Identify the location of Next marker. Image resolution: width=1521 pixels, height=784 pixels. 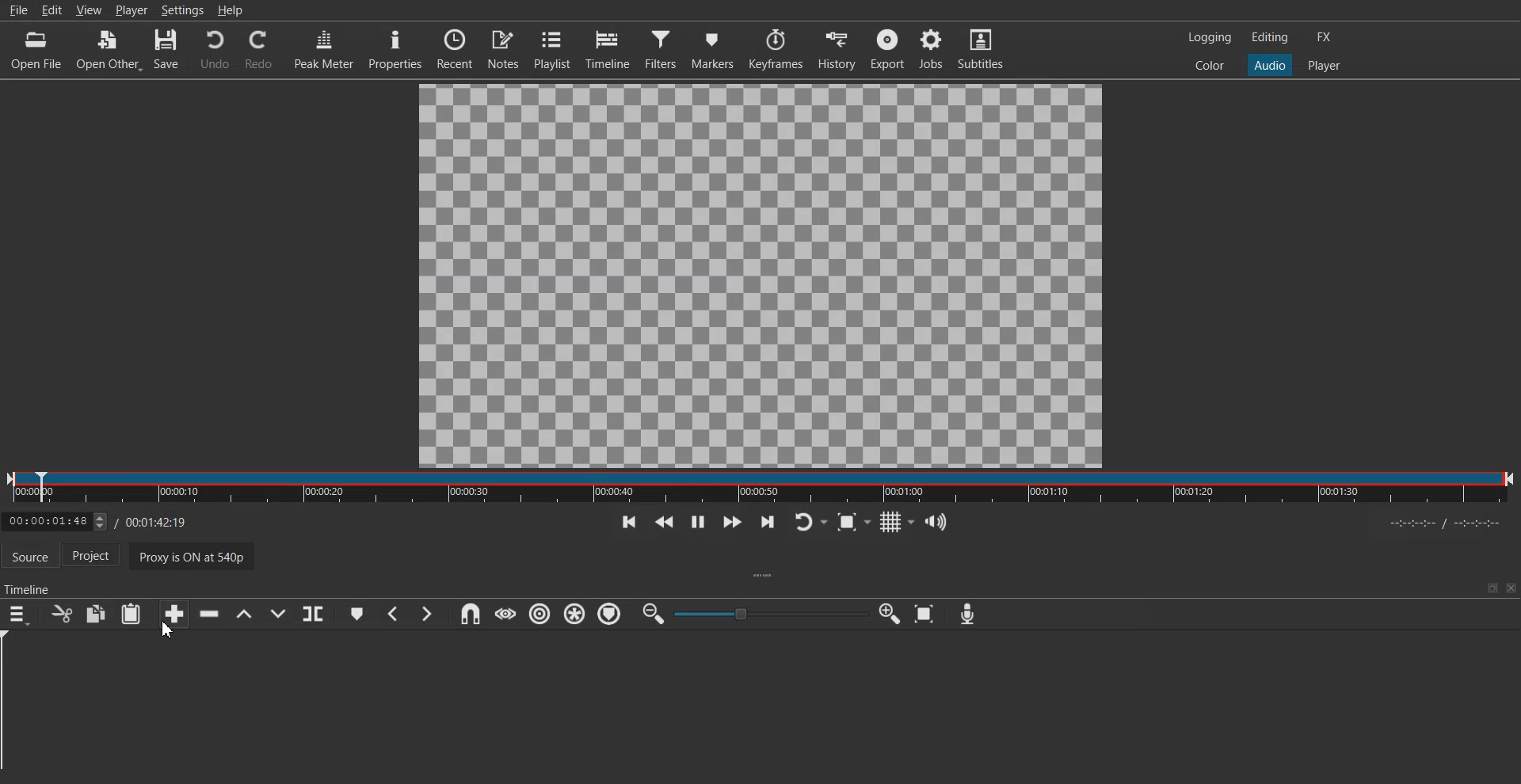
(427, 613).